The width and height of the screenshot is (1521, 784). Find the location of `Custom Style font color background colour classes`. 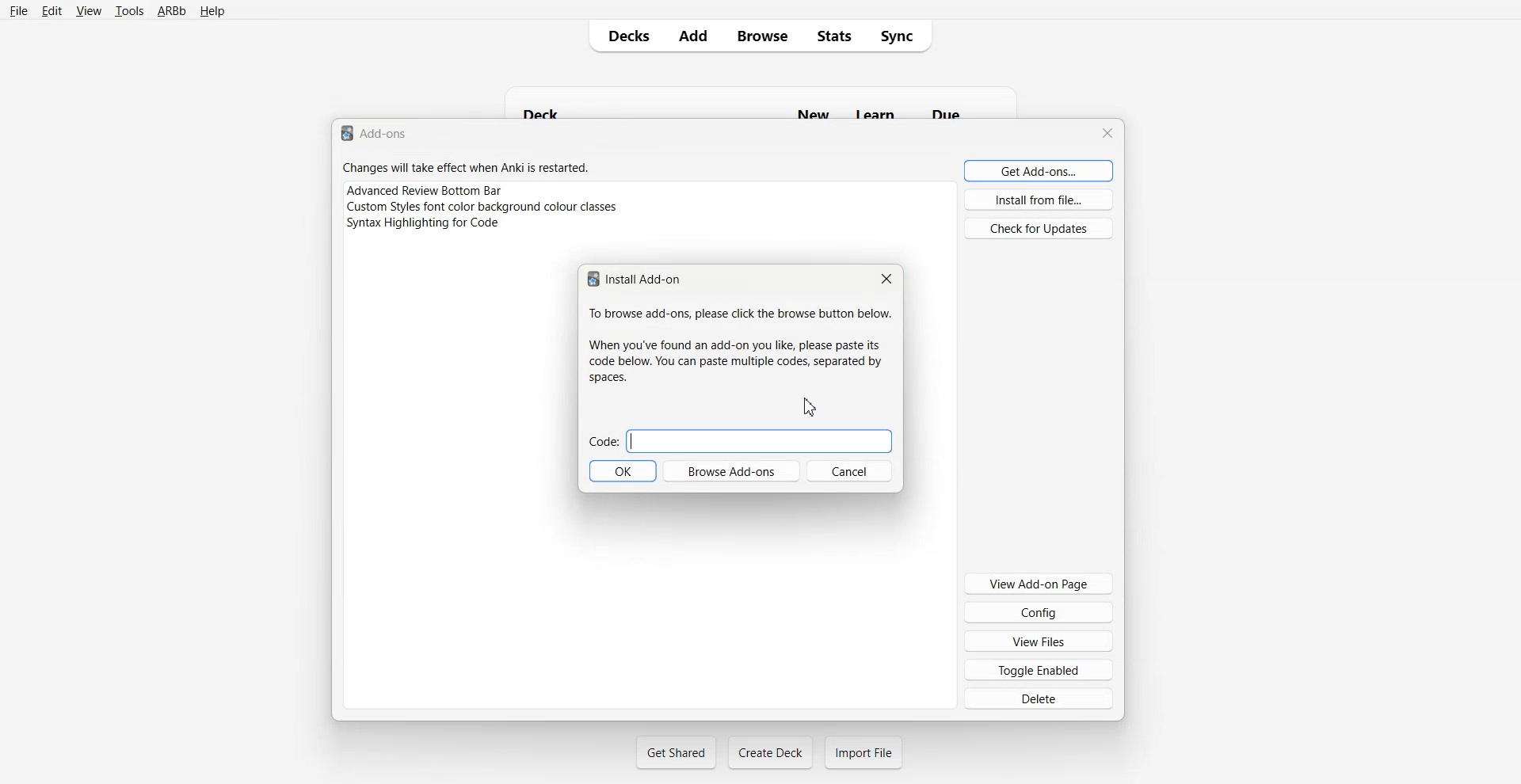

Custom Style font color background colour classes is located at coordinates (650, 207).